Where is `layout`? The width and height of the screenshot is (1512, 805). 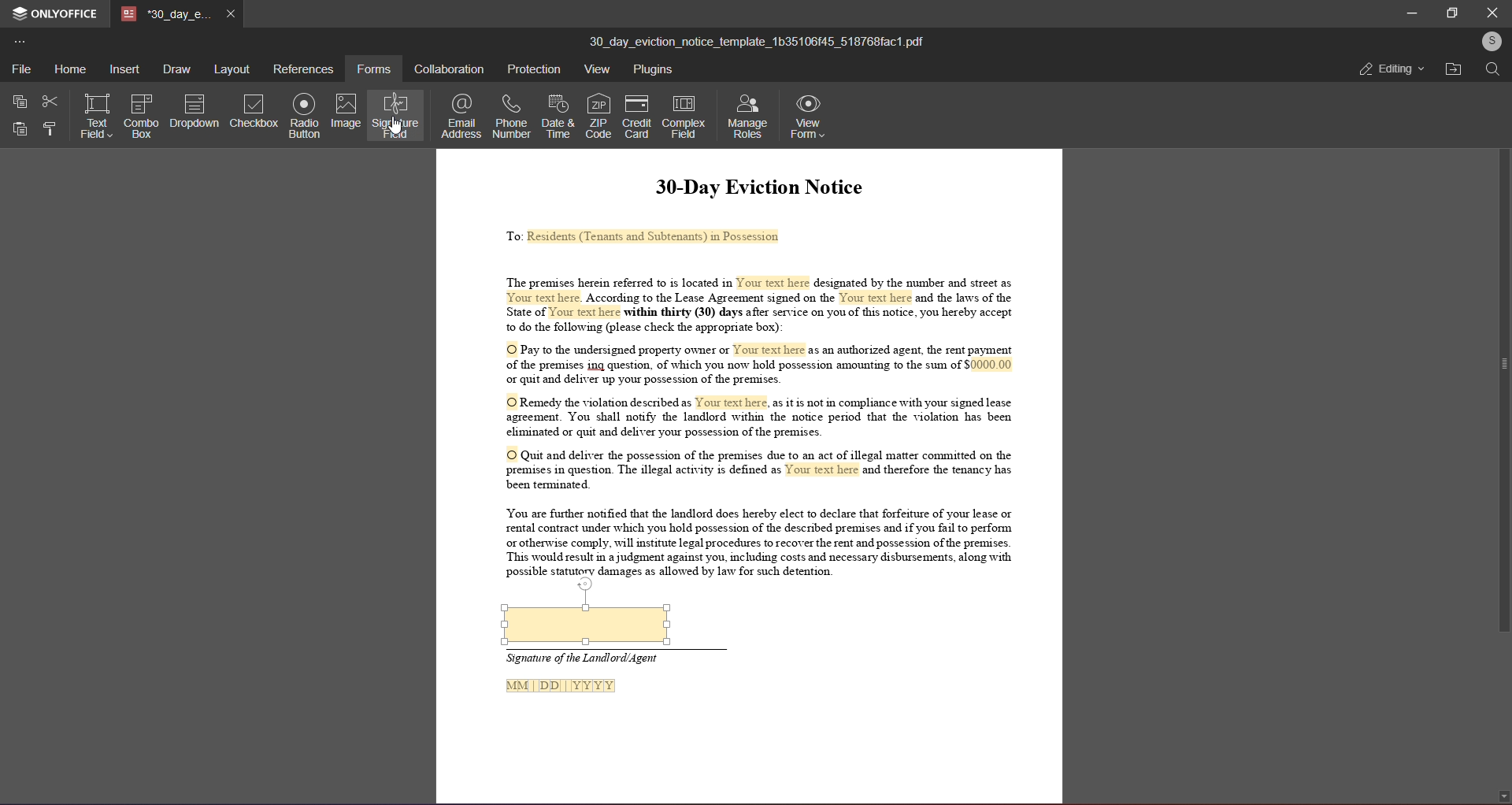
layout is located at coordinates (230, 70).